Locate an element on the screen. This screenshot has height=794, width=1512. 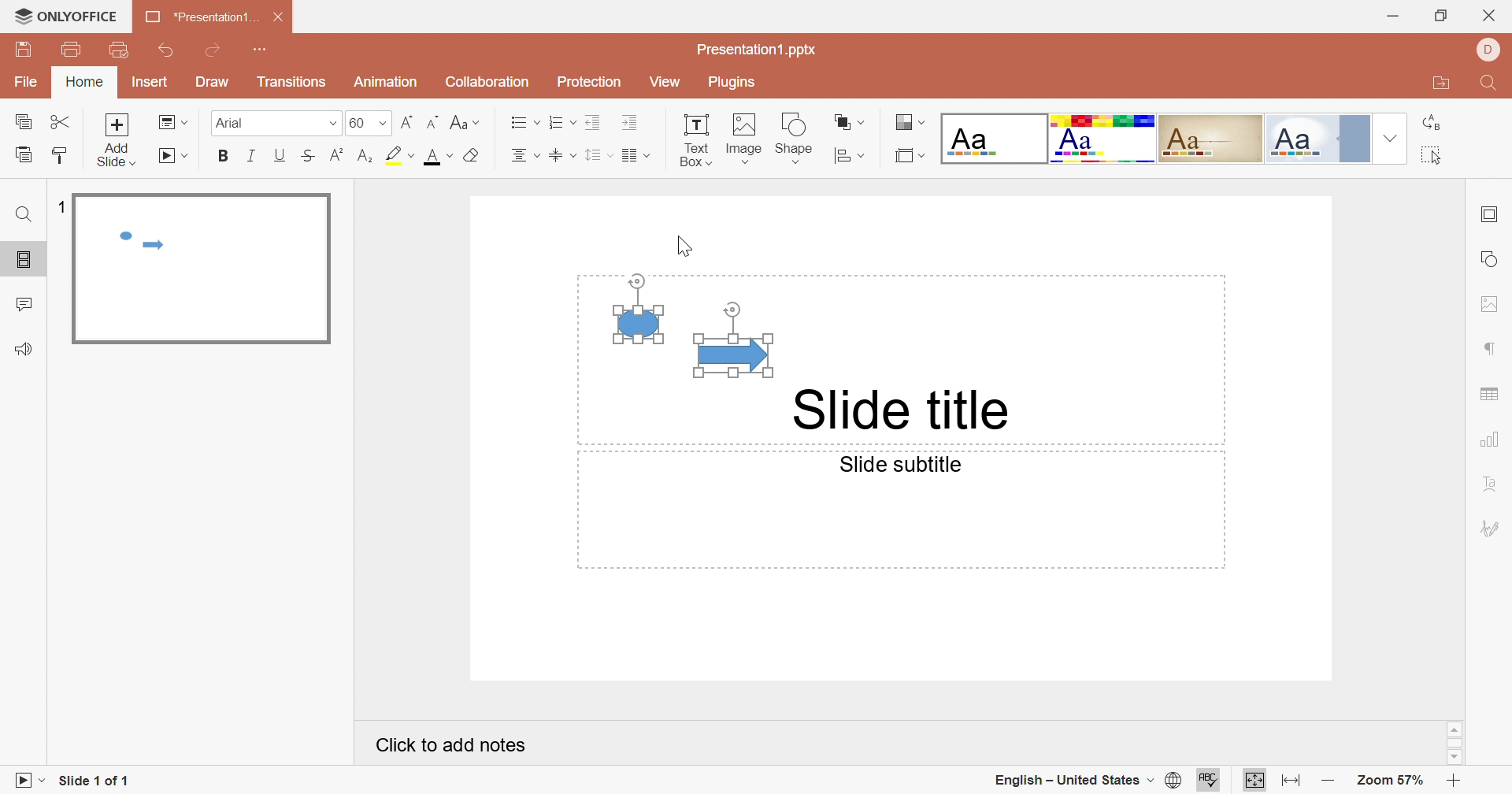
ONLYOFFICE is located at coordinates (64, 16).